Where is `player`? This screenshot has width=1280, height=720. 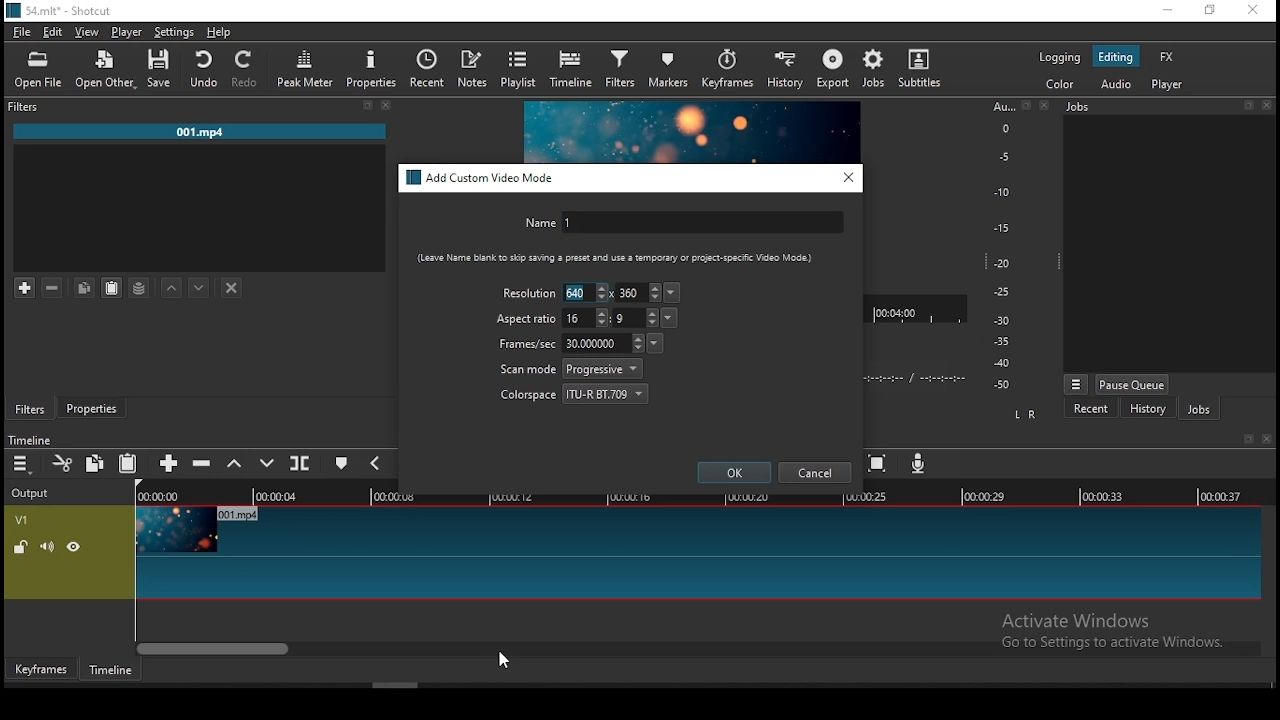 player is located at coordinates (1170, 85).